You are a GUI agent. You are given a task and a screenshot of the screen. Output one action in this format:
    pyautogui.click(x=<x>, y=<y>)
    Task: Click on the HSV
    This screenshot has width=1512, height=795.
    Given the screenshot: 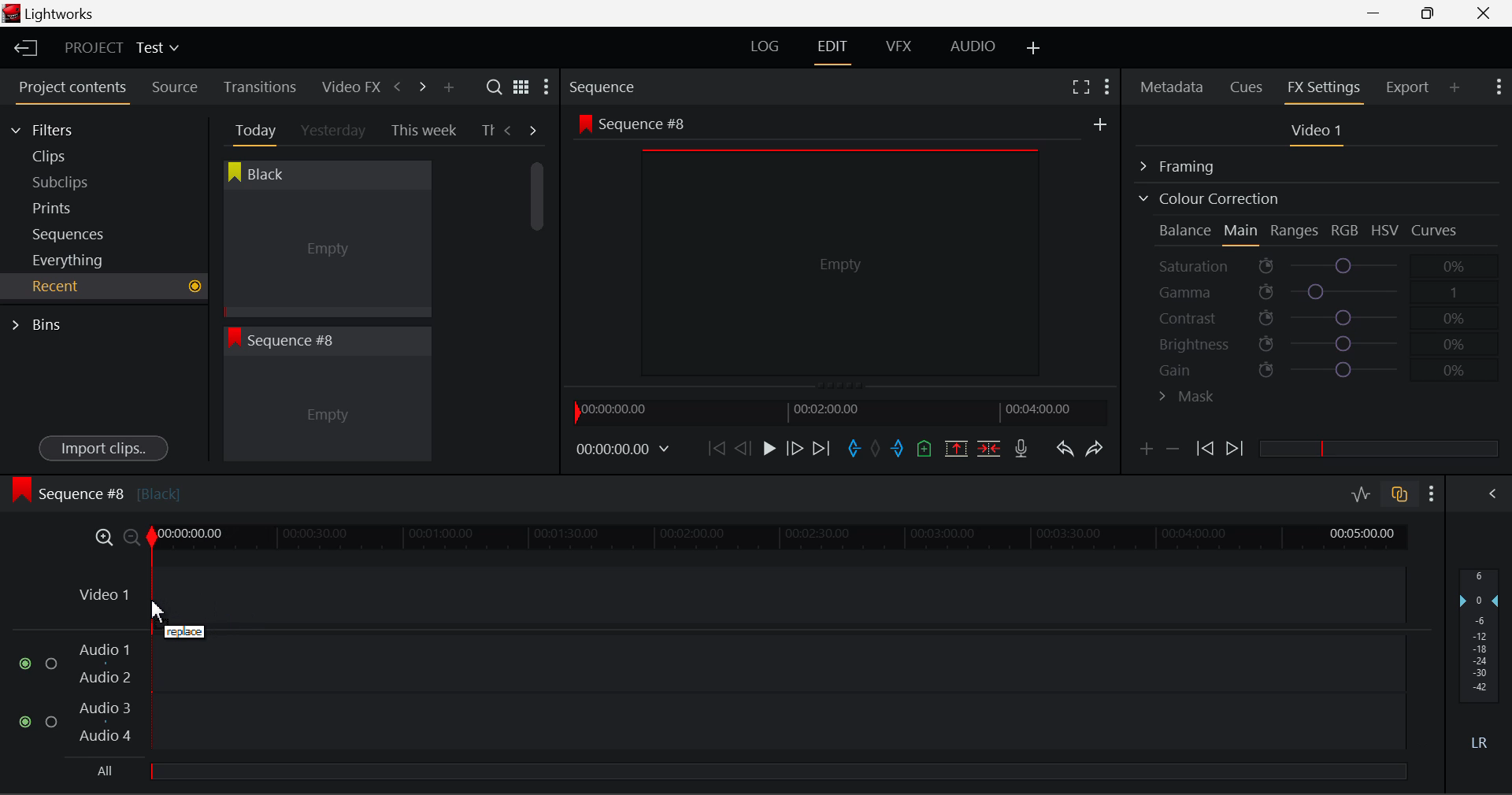 What is the action you would take?
    pyautogui.click(x=1385, y=230)
    